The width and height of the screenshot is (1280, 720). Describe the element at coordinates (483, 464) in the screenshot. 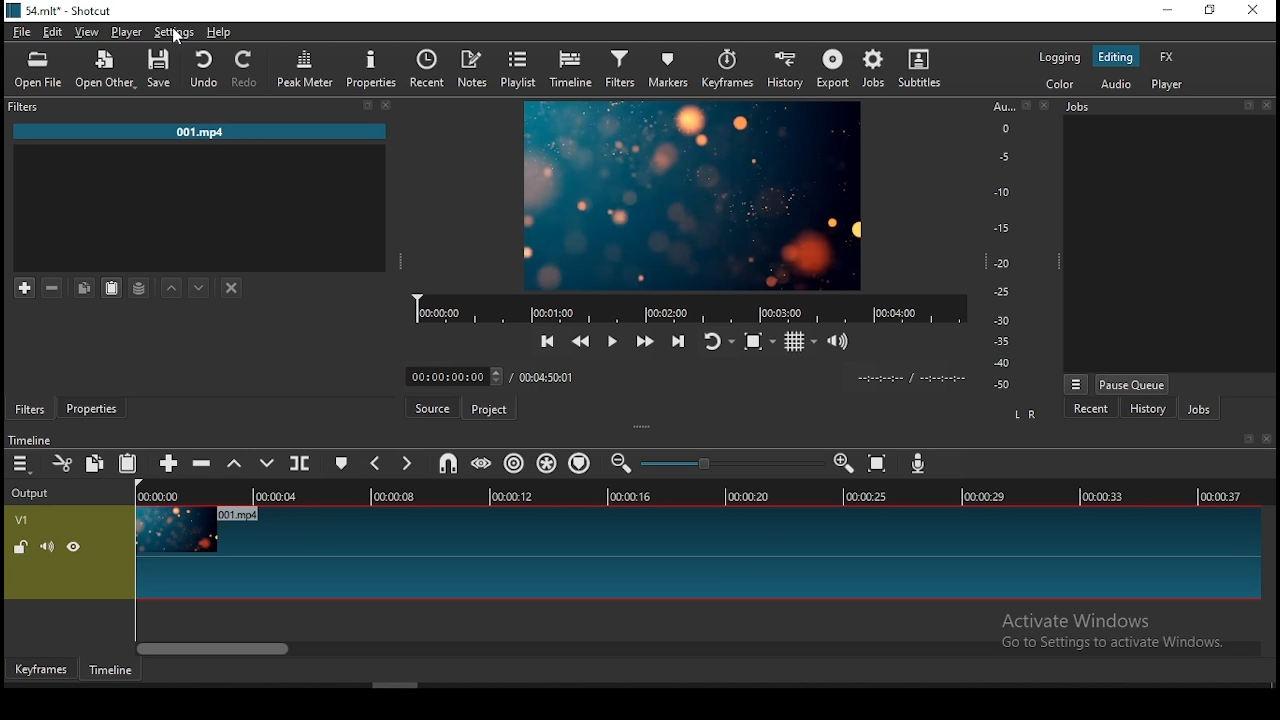

I see `scrub while dragging` at that location.